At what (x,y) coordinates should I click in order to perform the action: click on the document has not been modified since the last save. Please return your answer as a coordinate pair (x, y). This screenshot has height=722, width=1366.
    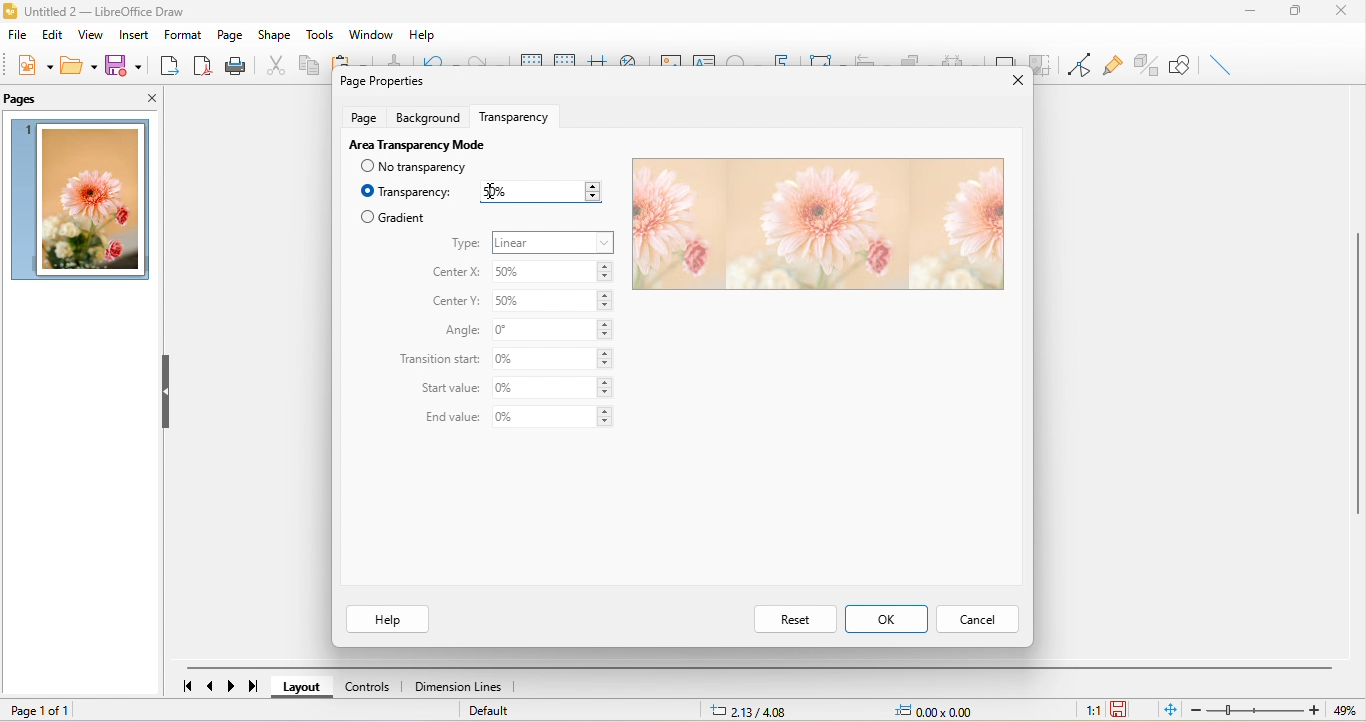
    Looking at the image, I should click on (1121, 709).